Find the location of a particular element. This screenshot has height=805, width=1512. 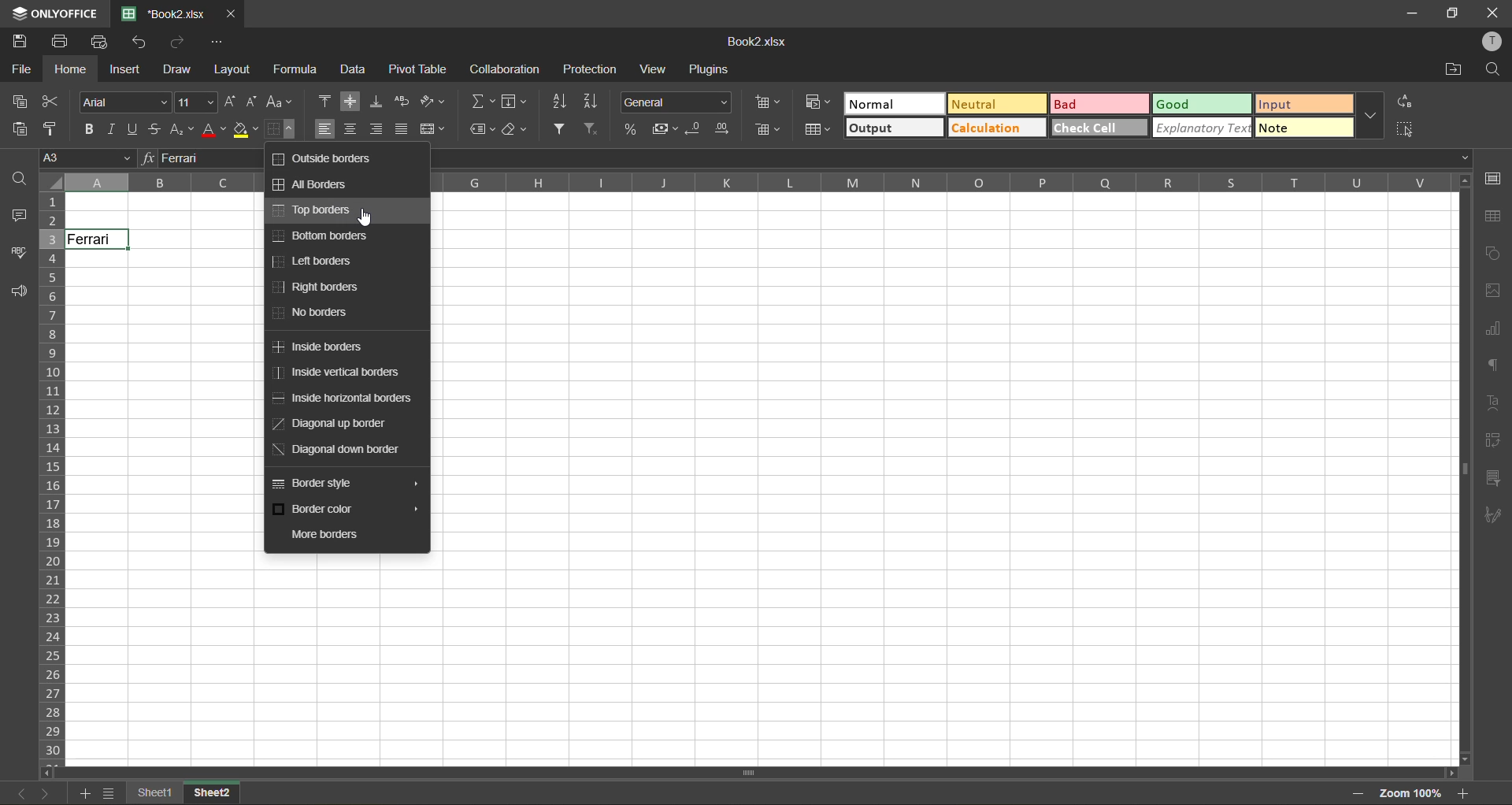

sort ascending is located at coordinates (563, 101).